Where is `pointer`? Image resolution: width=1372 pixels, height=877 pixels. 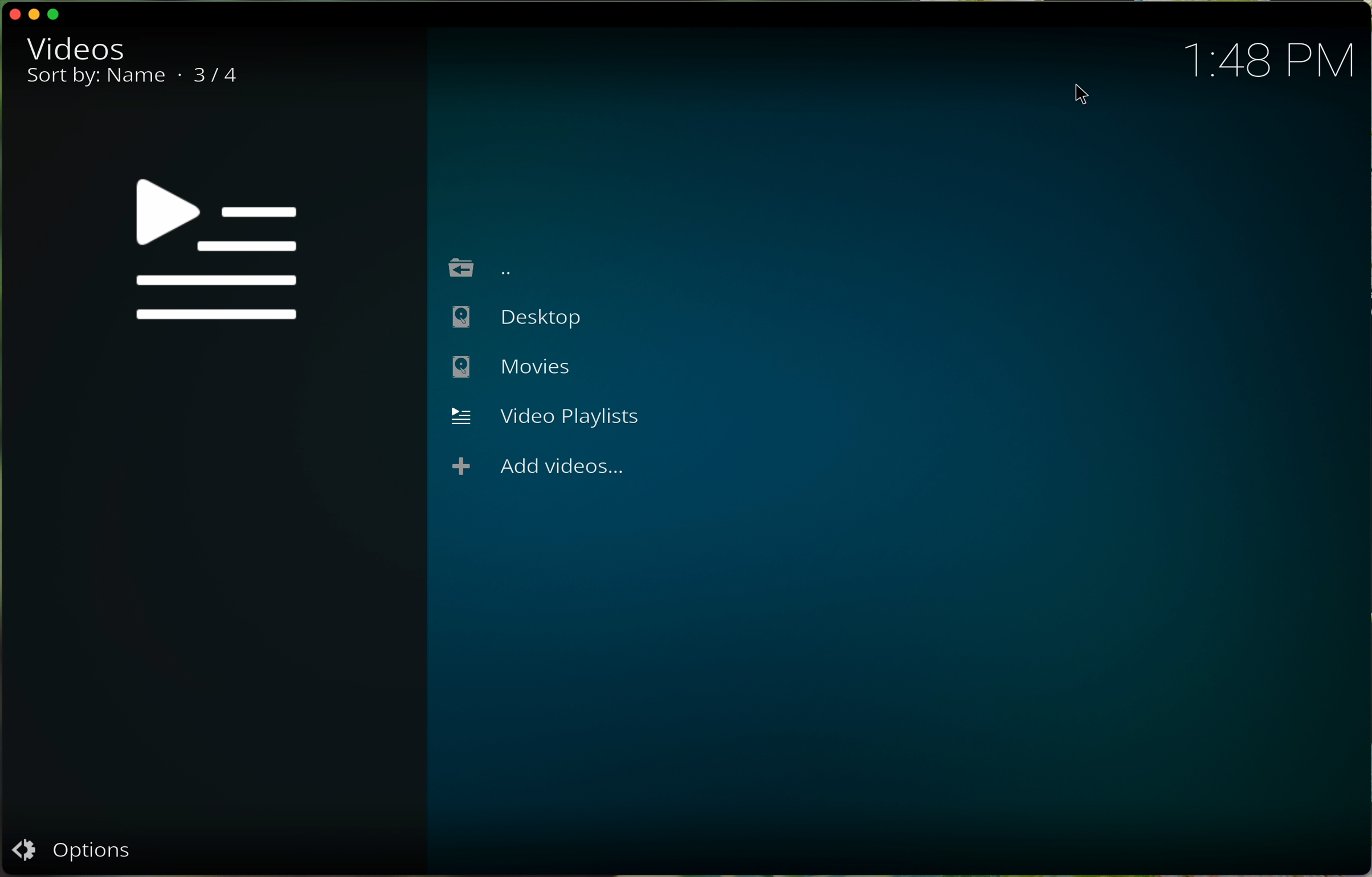 pointer is located at coordinates (1080, 94).